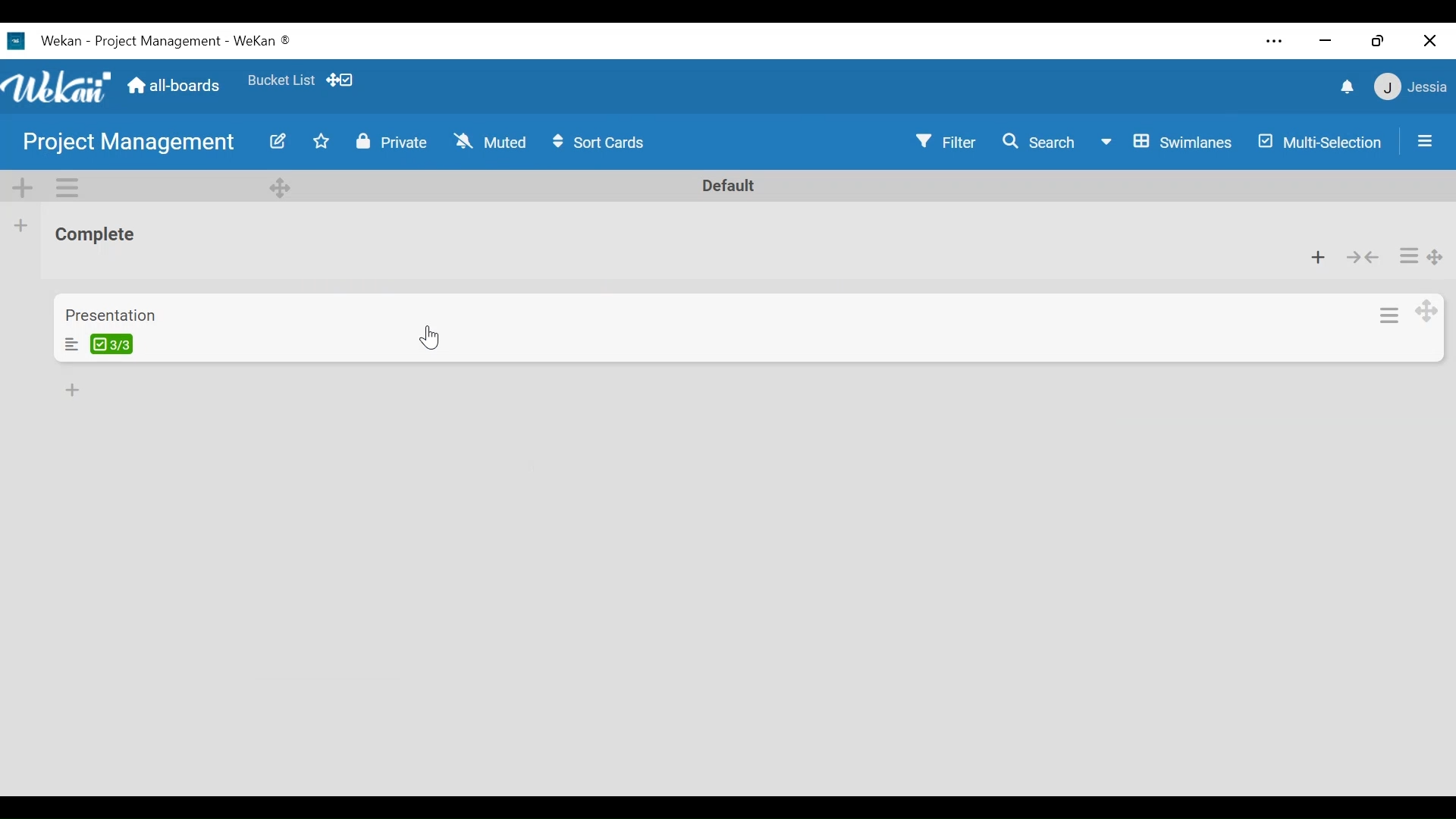  What do you see at coordinates (1427, 39) in the screenshot?
I see `Close` at bounding box center [1427, 39].